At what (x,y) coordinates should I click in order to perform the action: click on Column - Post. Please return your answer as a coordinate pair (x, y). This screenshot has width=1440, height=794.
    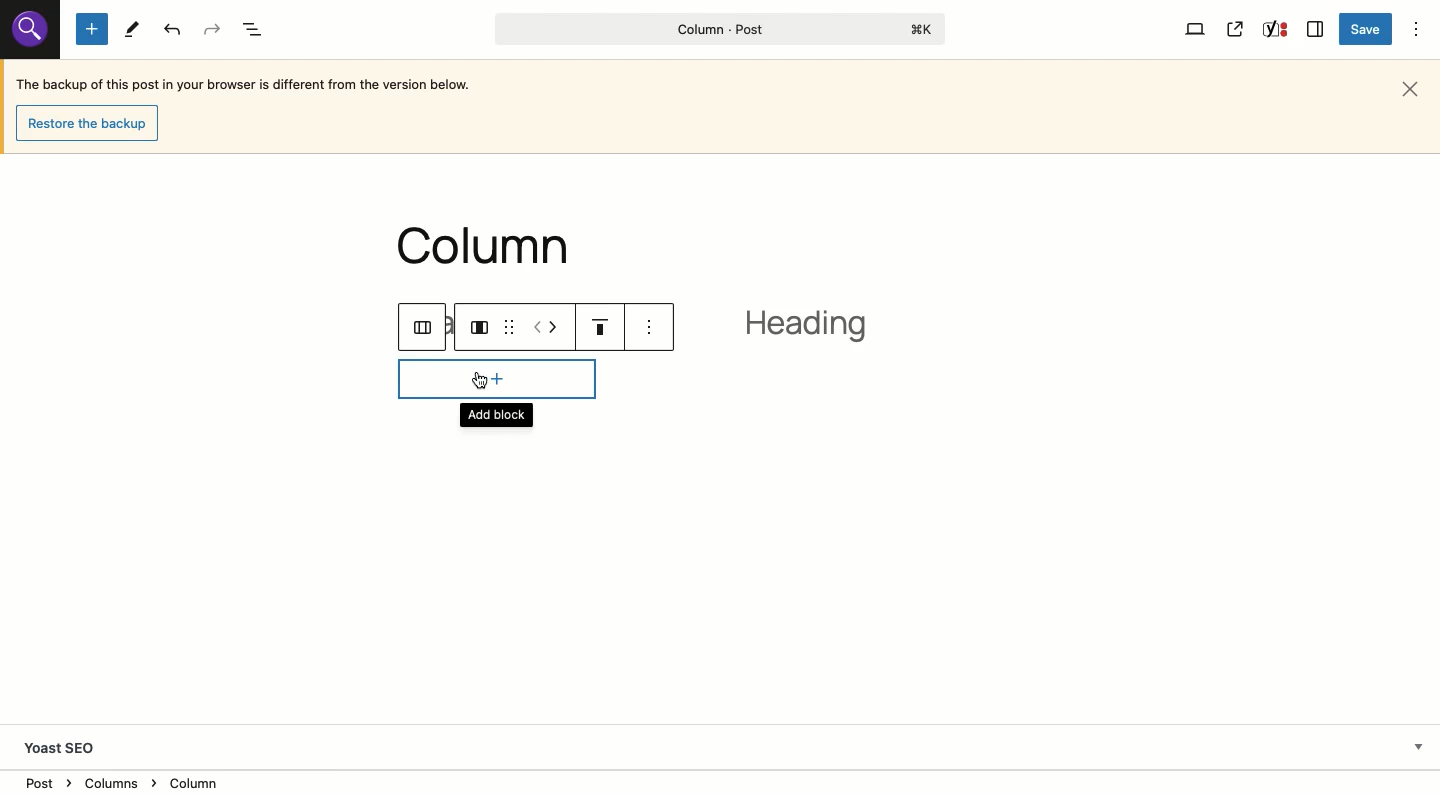
    Looking at the image, I should click on (715, 29).